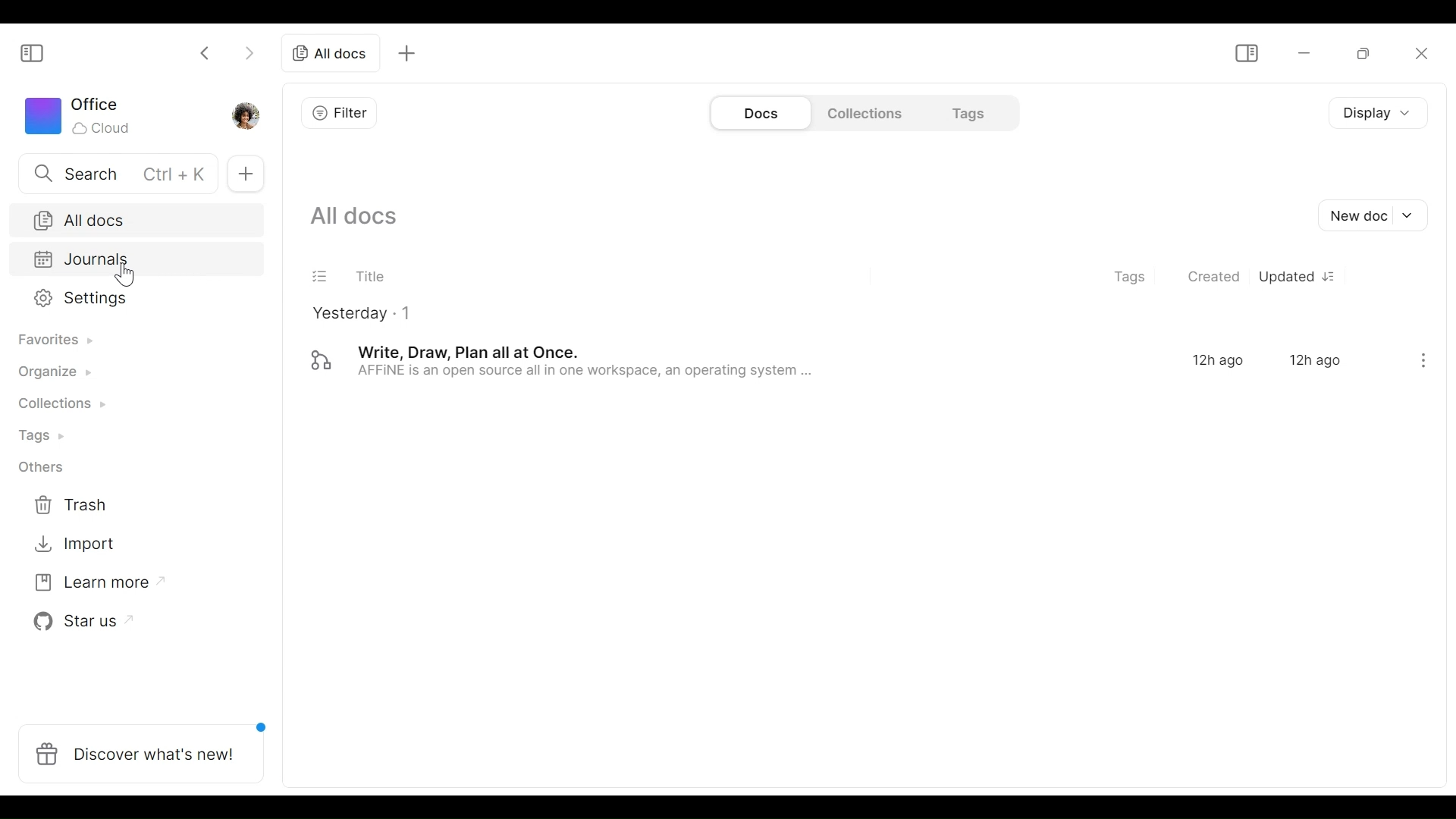  Describe the element at coordinates (125, 299) in the screenshot. I see `Settings` at that location.